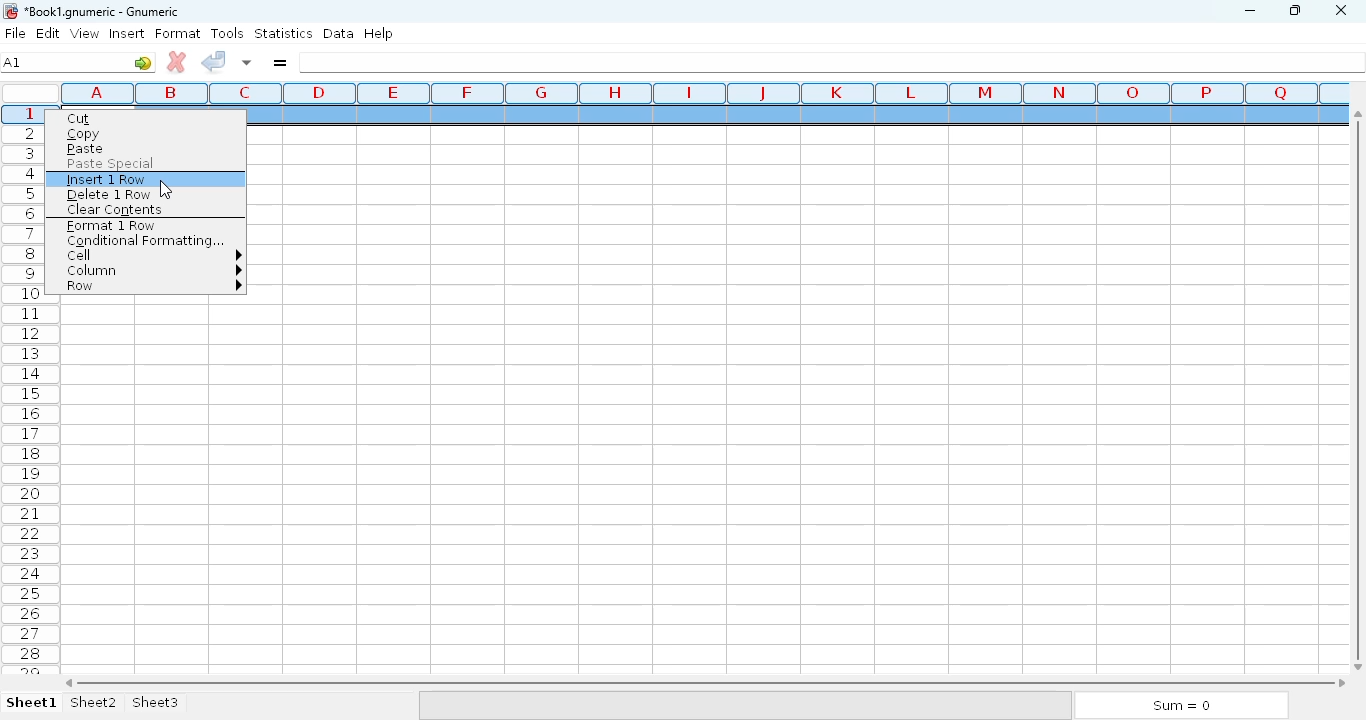 This screenshot has width=1366, height=720. I want to click on edit, so click(49, 33).